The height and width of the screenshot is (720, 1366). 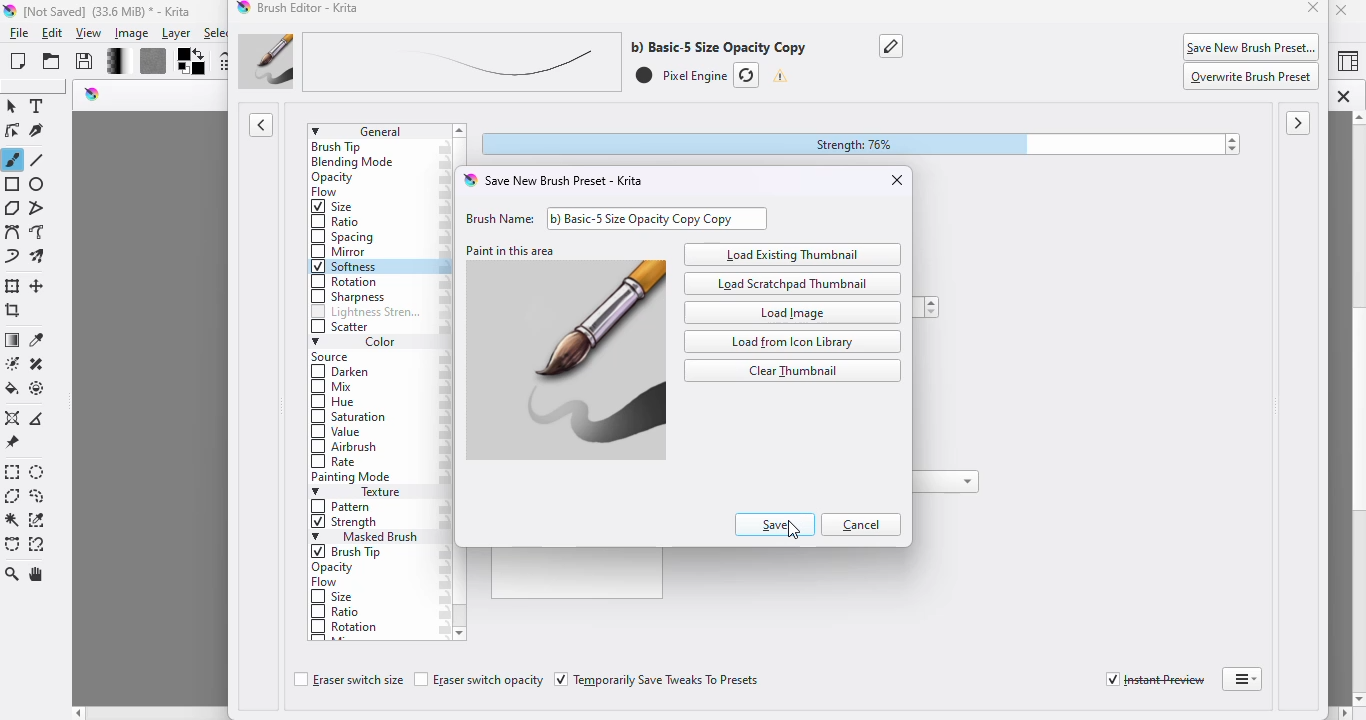 What do you see at coordinates (224, 62) in the screenshot?
I see `edit brush settings` at bounding box center [224, 62].